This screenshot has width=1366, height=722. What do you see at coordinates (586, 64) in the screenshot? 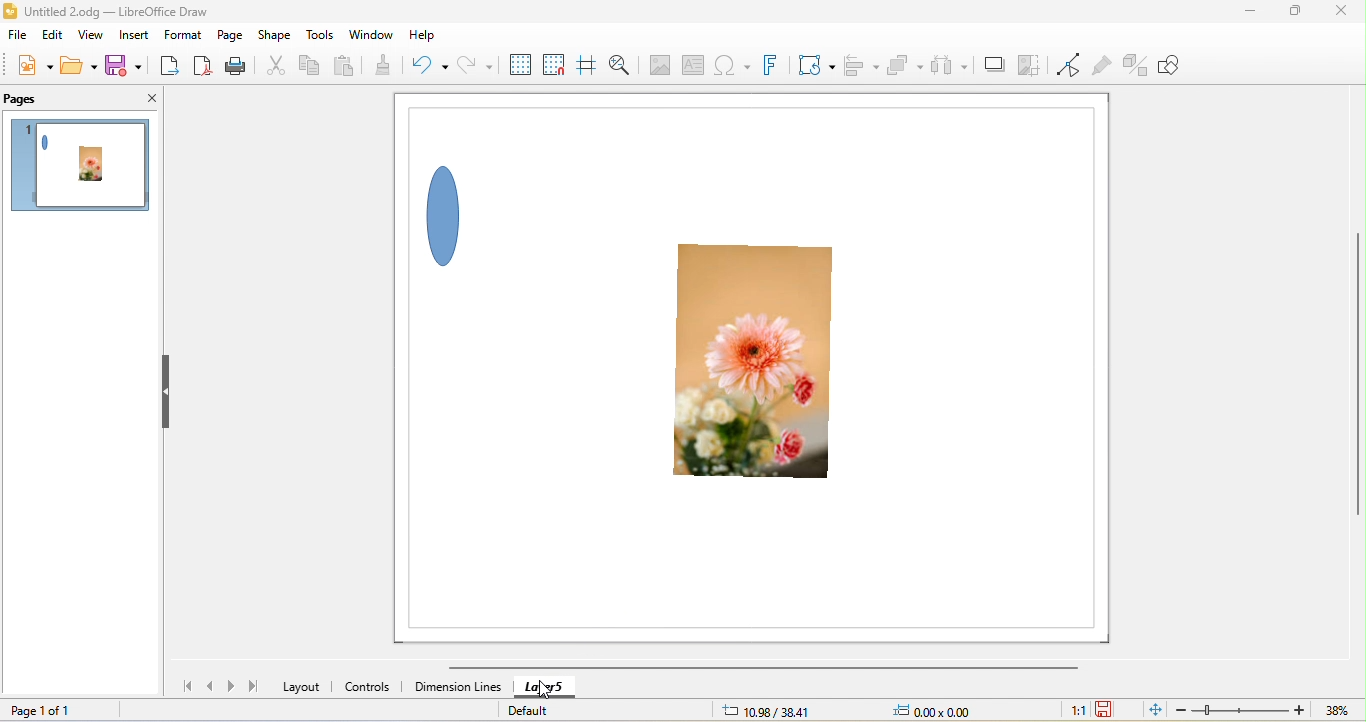
I see `helpline while moving` at bounding box center [586, 64].